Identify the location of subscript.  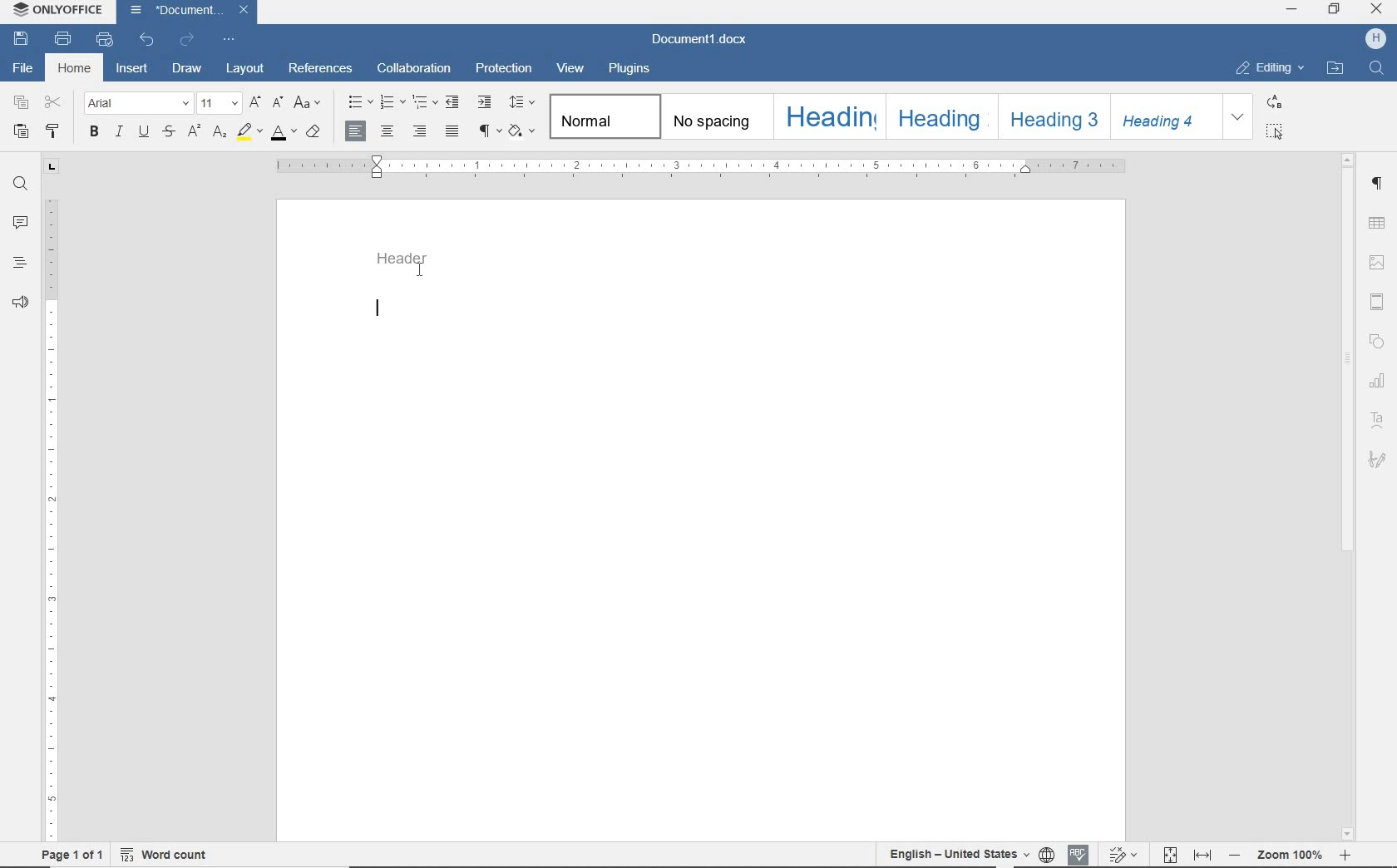
(221, 134).